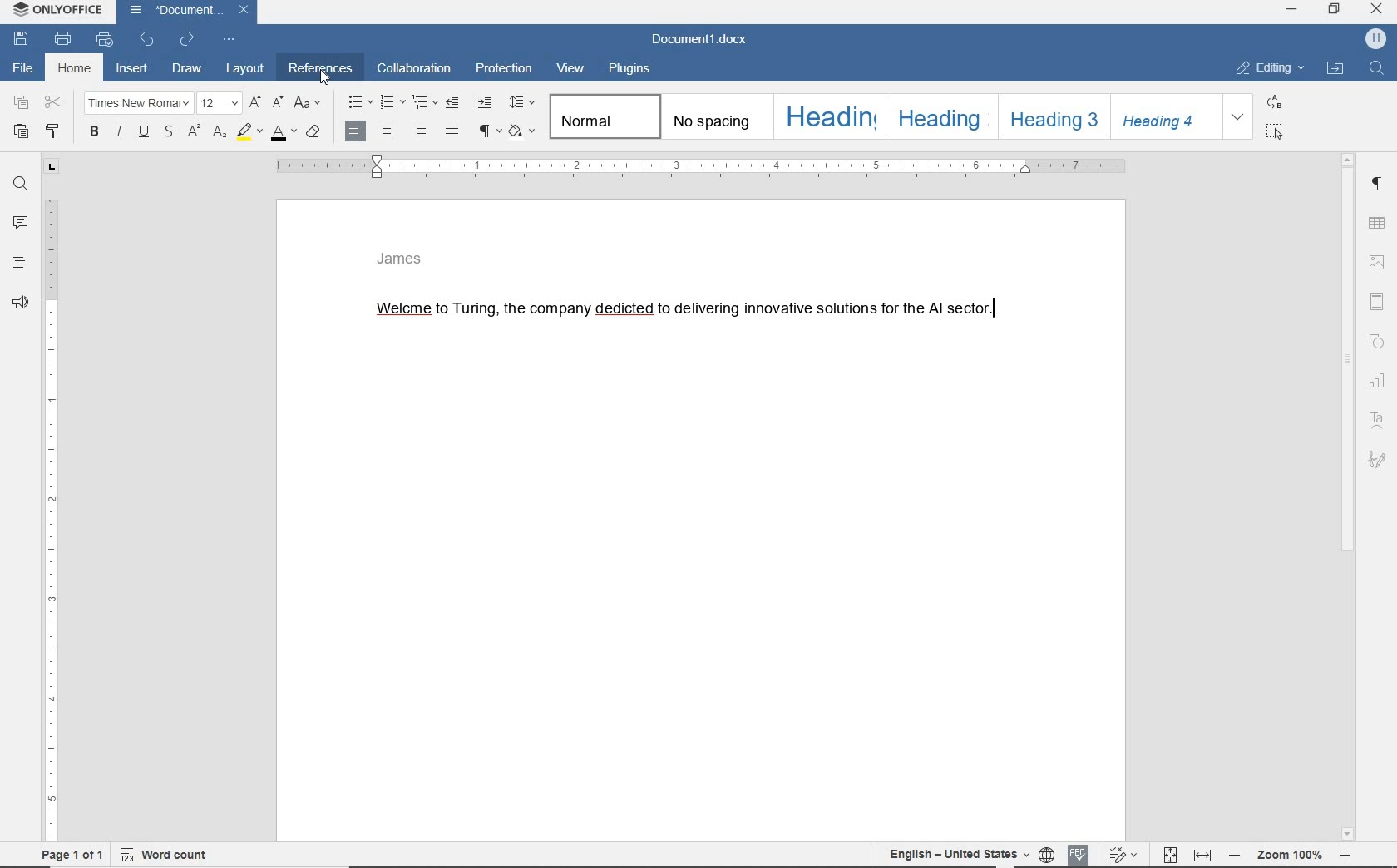 The image size is (1397, 868). Describe the element at coordinates (829, 116) in the screenshot. I see `Heading 1` at that location.